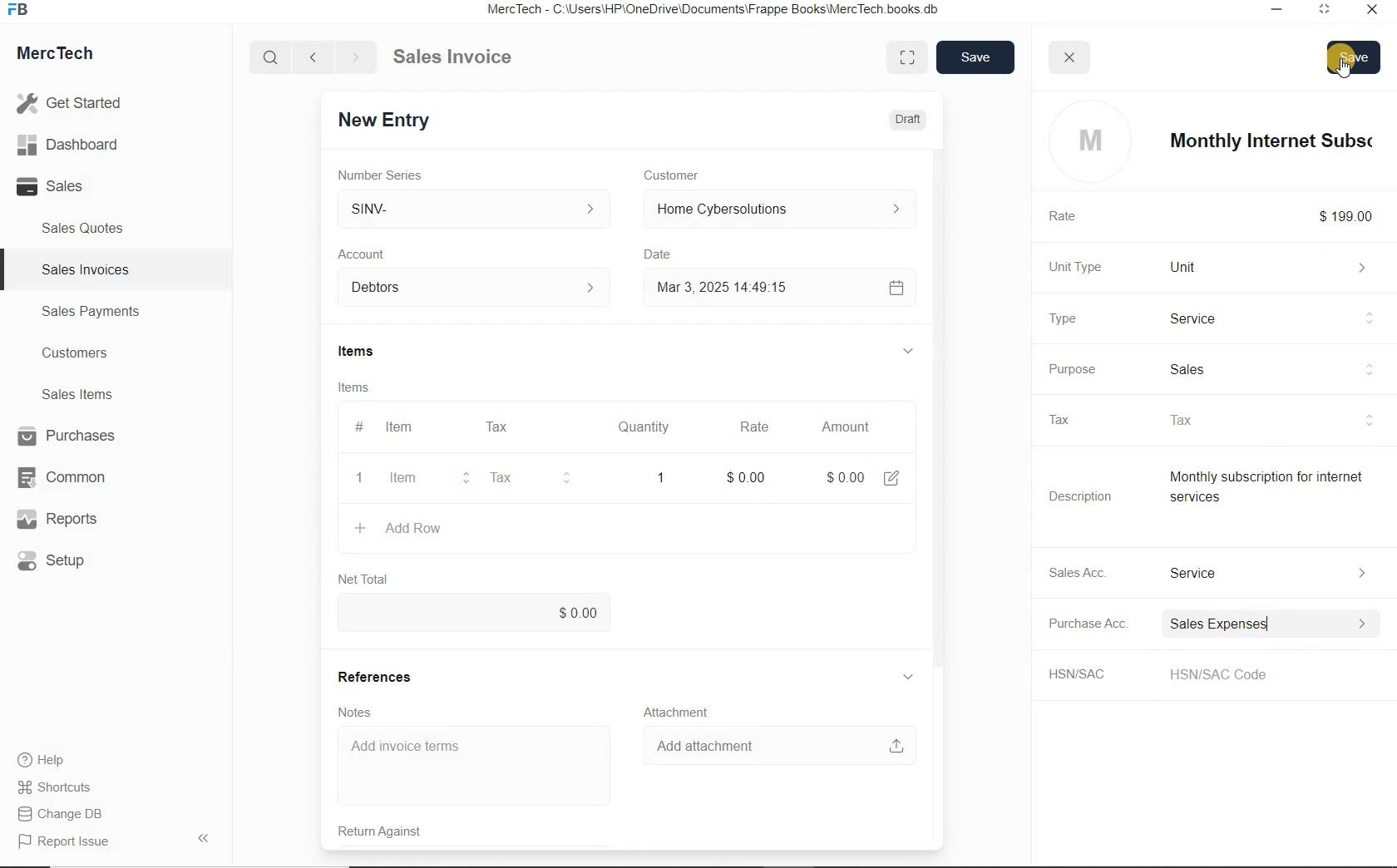  I want to click on MercTech - C:\Users\HP\OneDrive\Documents\Frappe Books\MercTech books db, so click(715, 10).